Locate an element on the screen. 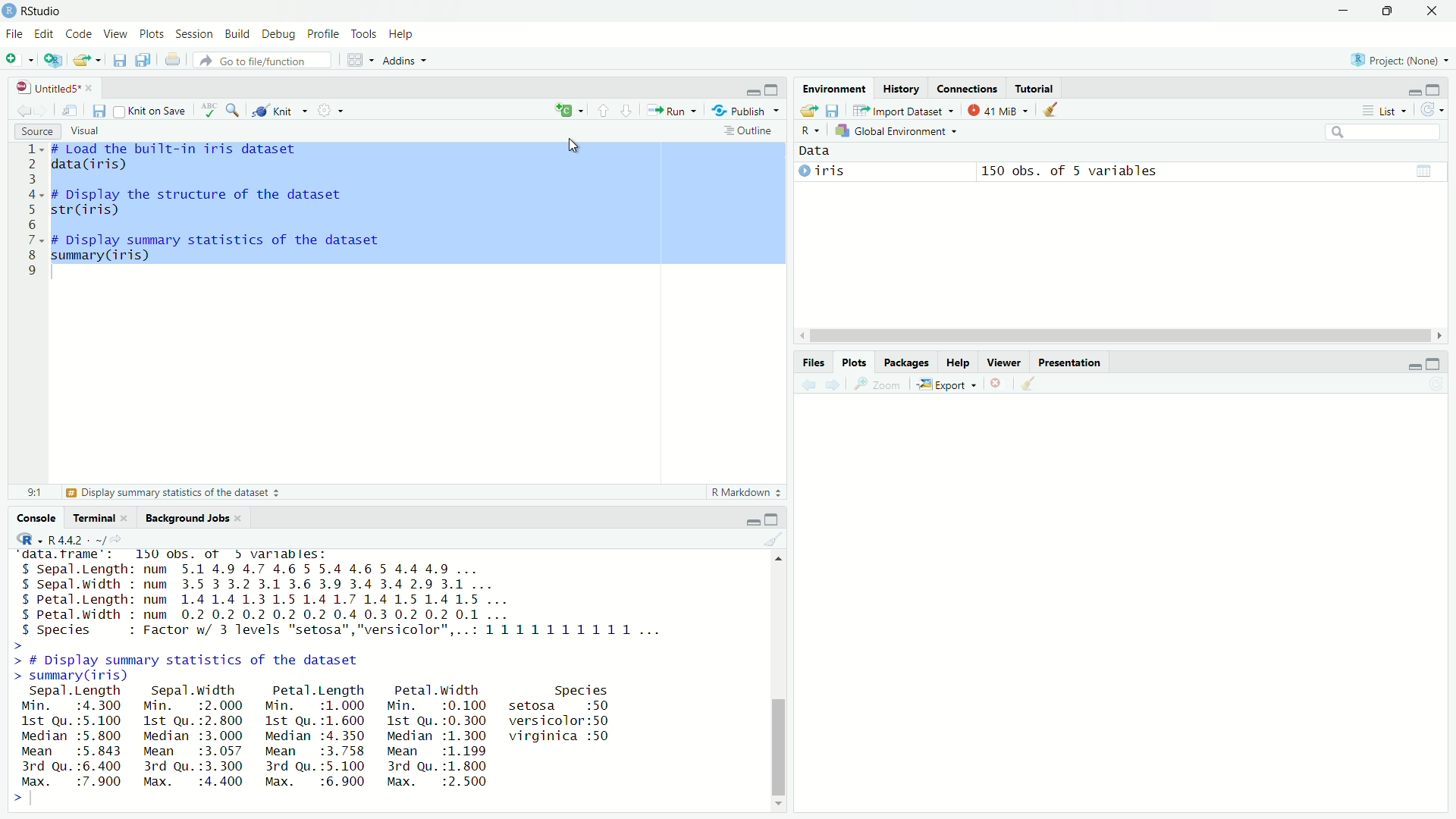 The width and height of the screenshot is (1456, 819). Spell Check is located at coordinates (209, 111).